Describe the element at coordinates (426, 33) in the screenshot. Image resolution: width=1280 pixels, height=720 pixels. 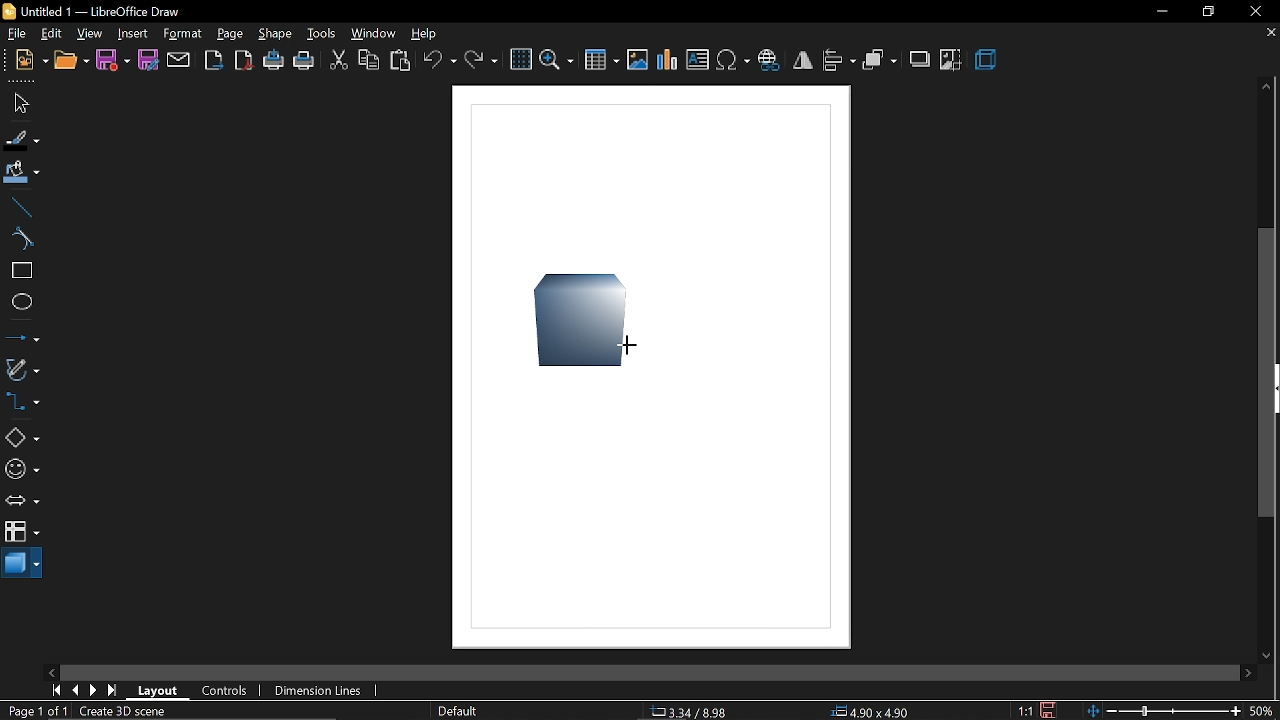
I see `help` at that location.